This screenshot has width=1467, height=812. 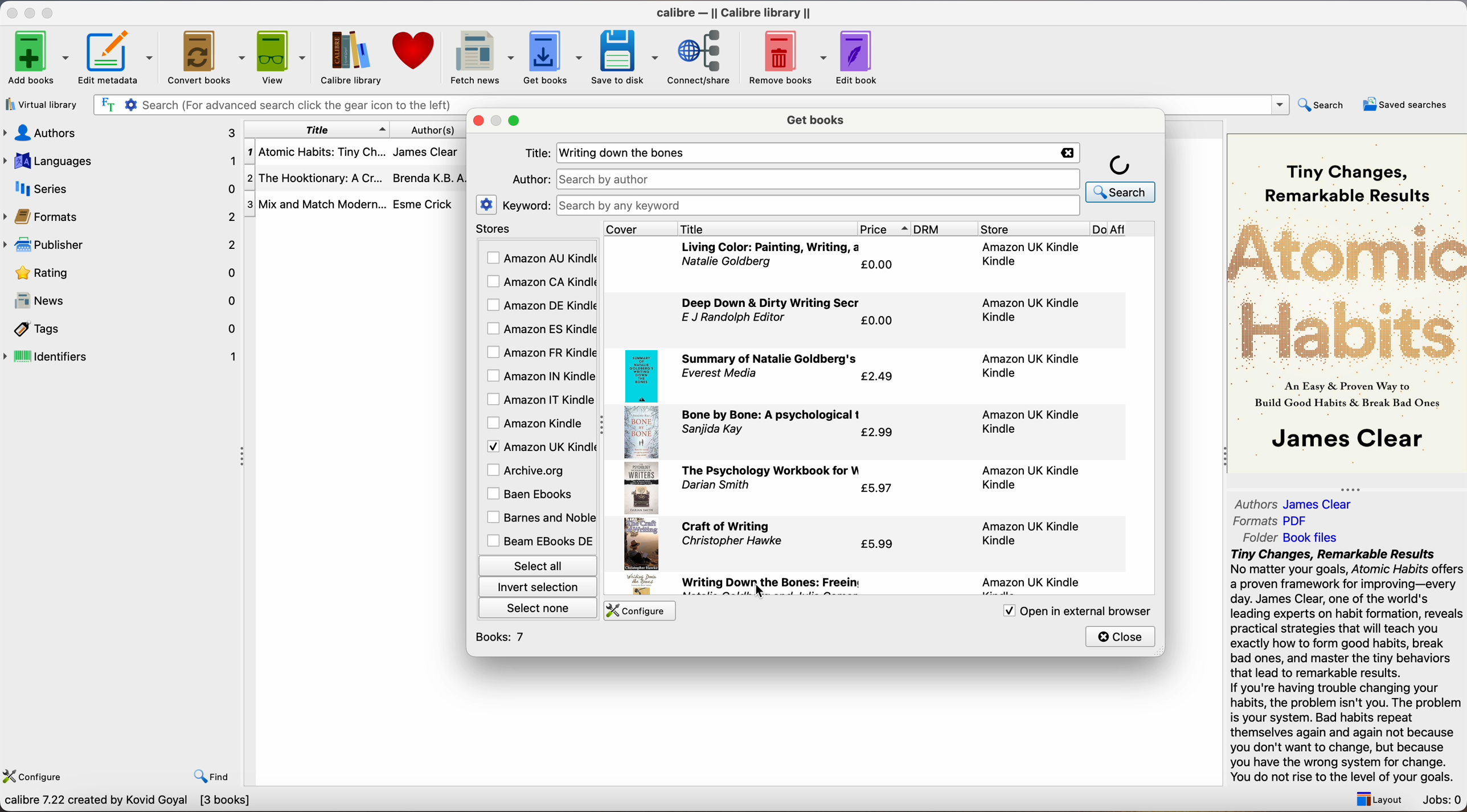 I want to click on €0.00, so click(x=880, y=321).